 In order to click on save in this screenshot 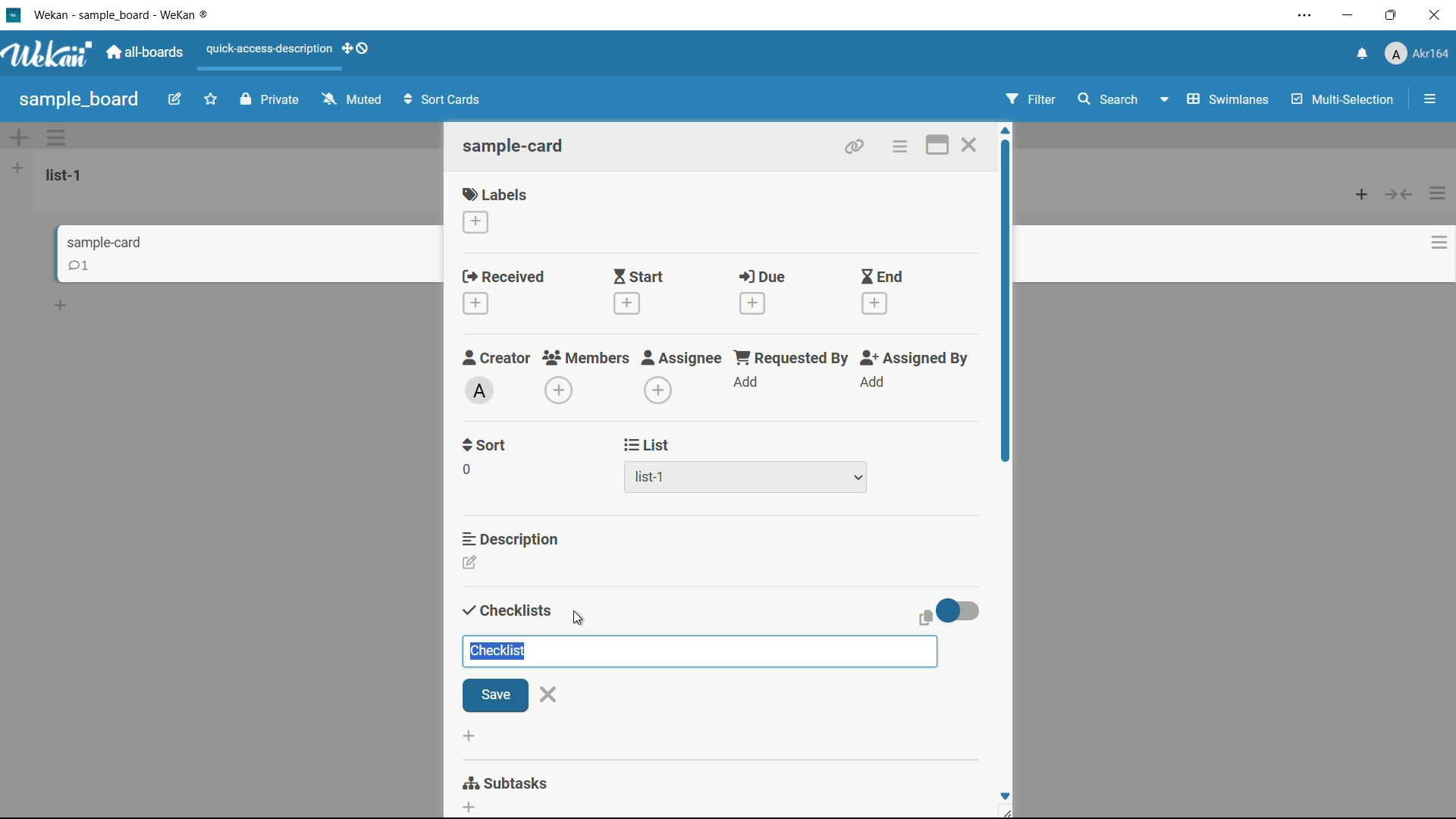, I will do `click(497, 695)`.